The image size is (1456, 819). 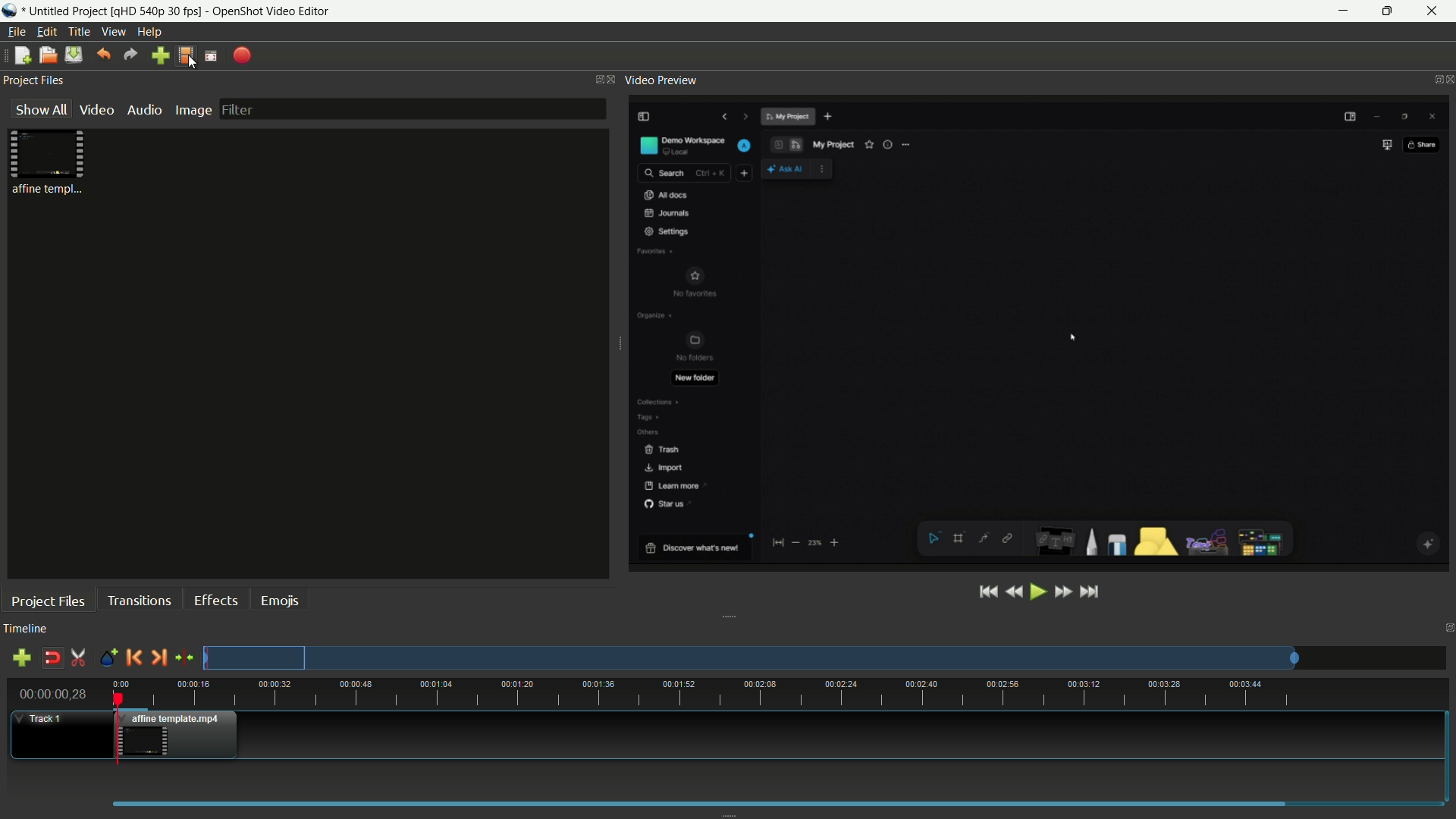 I want to click on fast forward, so click(x=1062, y=593).